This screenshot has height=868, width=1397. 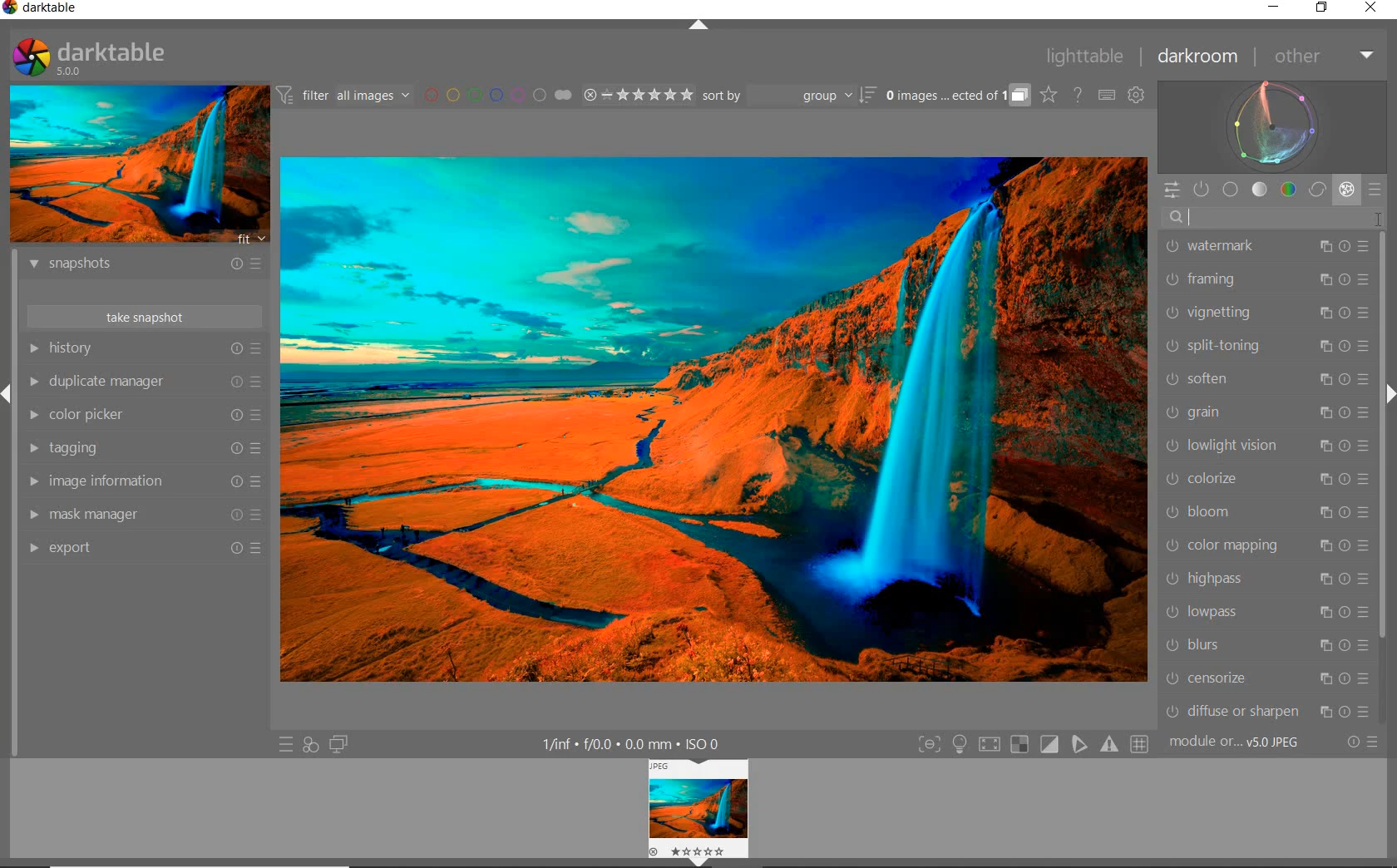 What do you see at coordinates (144, 448) in the screenshot?
I see `tagging` at bounding box center [144, 448].